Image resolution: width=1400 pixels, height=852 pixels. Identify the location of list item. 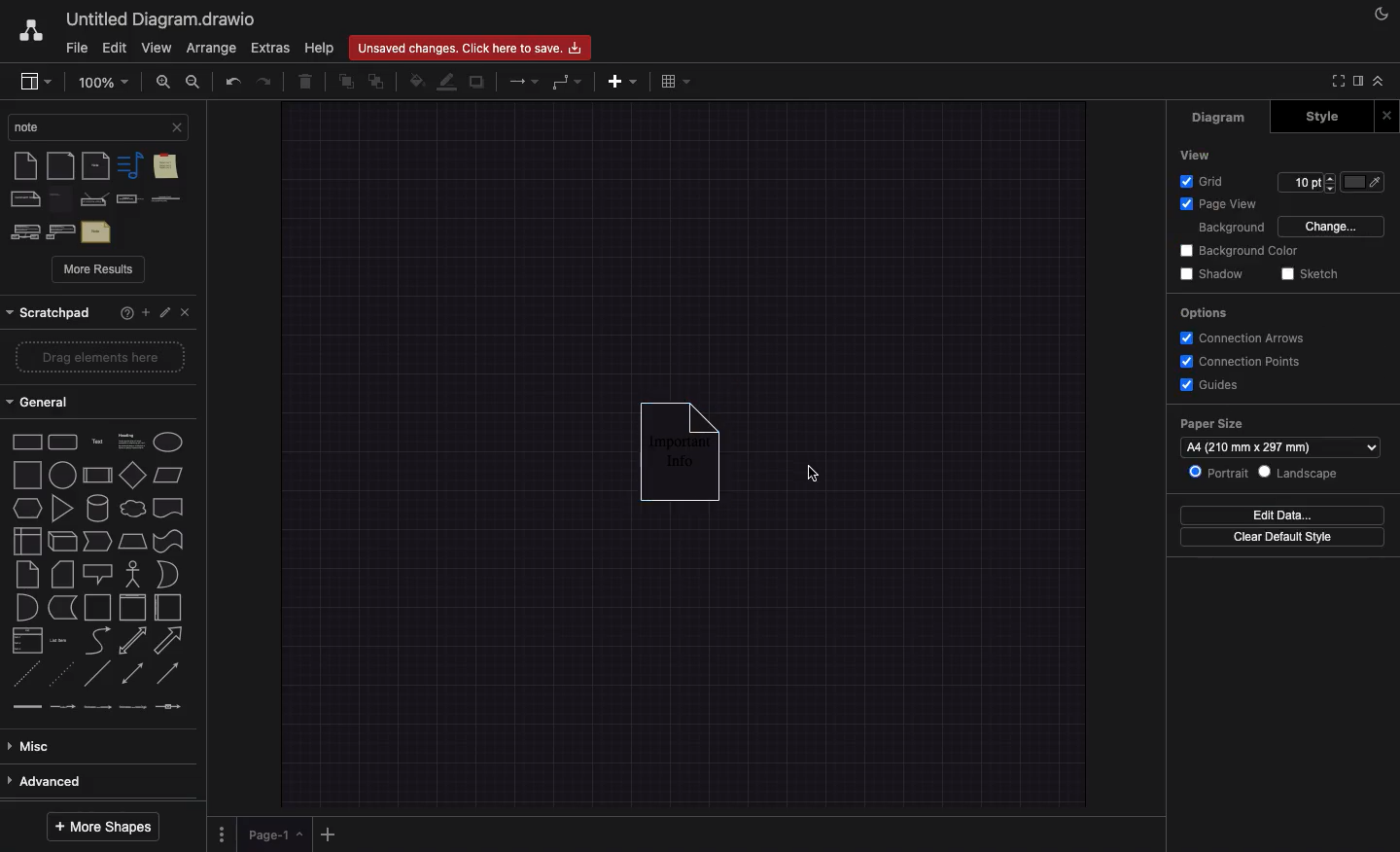
(60, 642).